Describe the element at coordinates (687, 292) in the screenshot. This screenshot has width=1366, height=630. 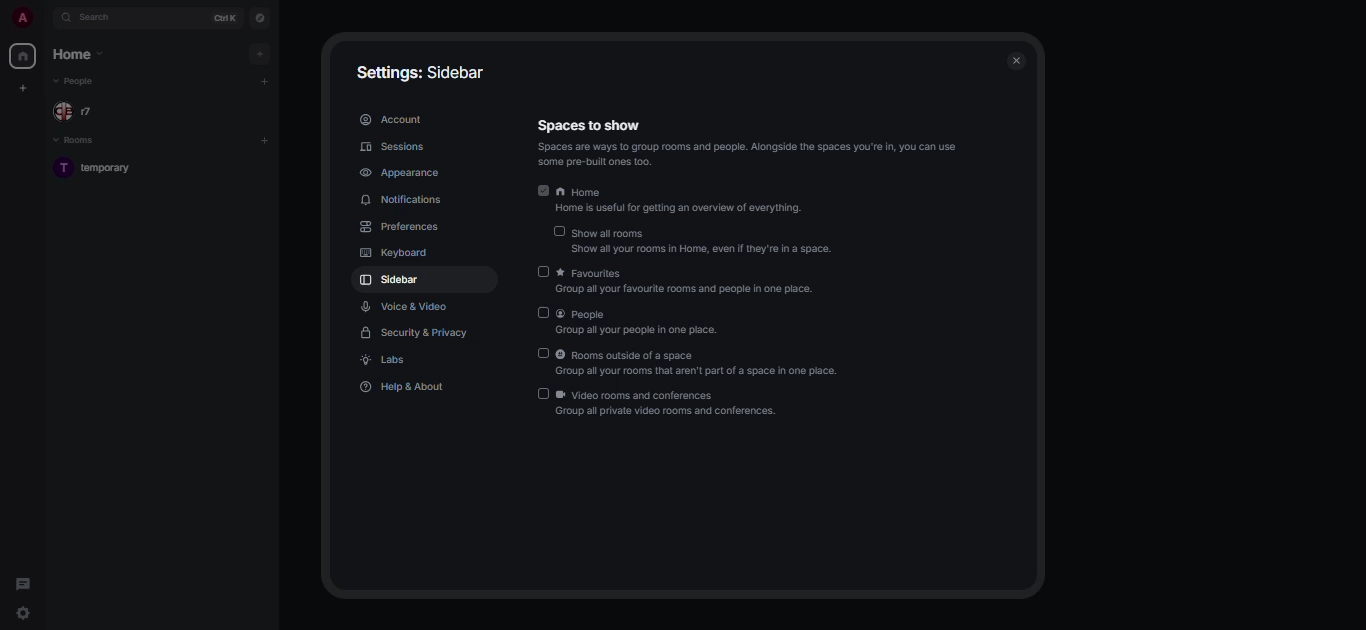
I see `Group all your favourite rooms and people in one place.` at that location.